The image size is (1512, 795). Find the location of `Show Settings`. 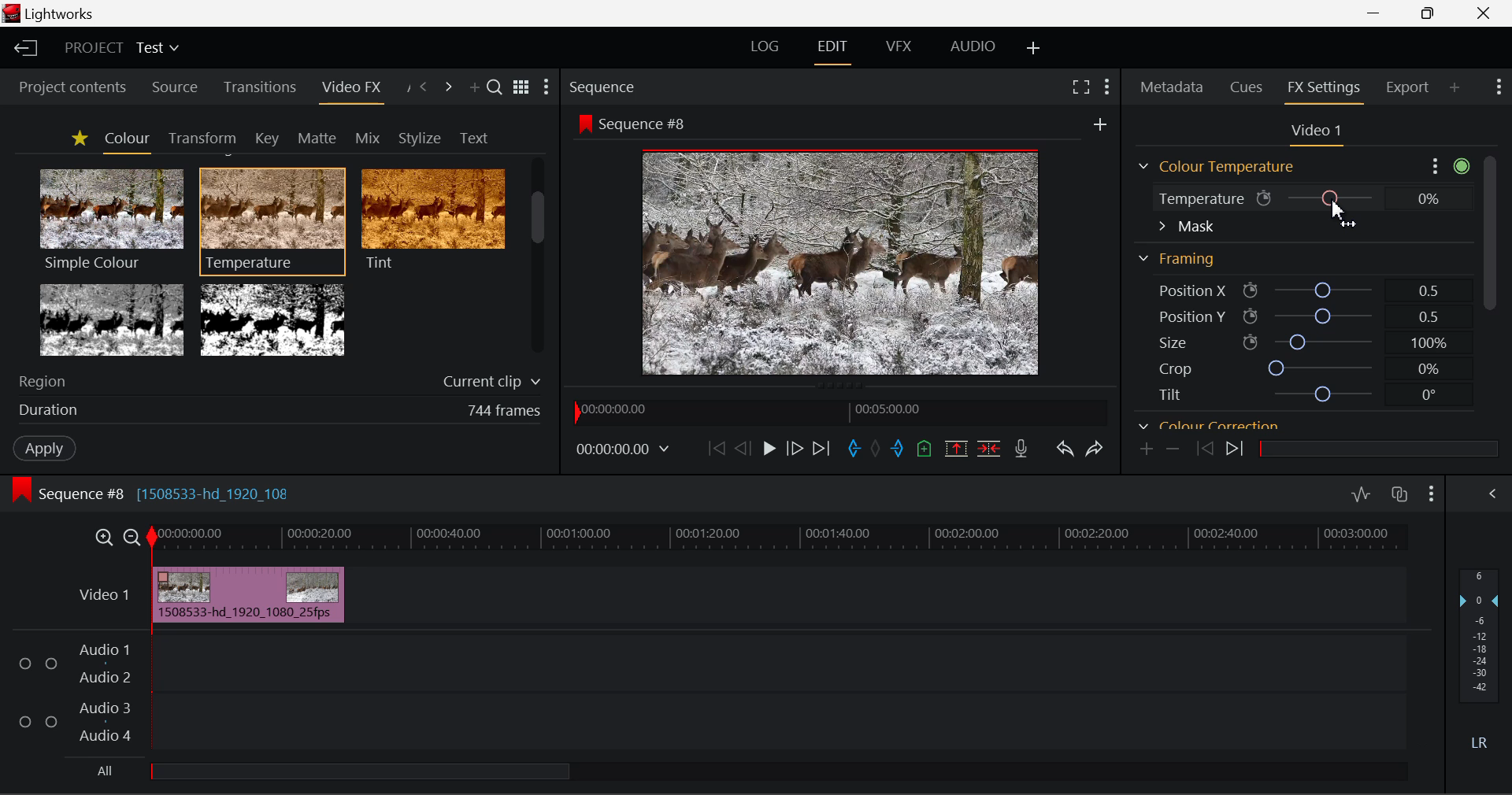

Show Settings is located at coordinates (1106, 88).